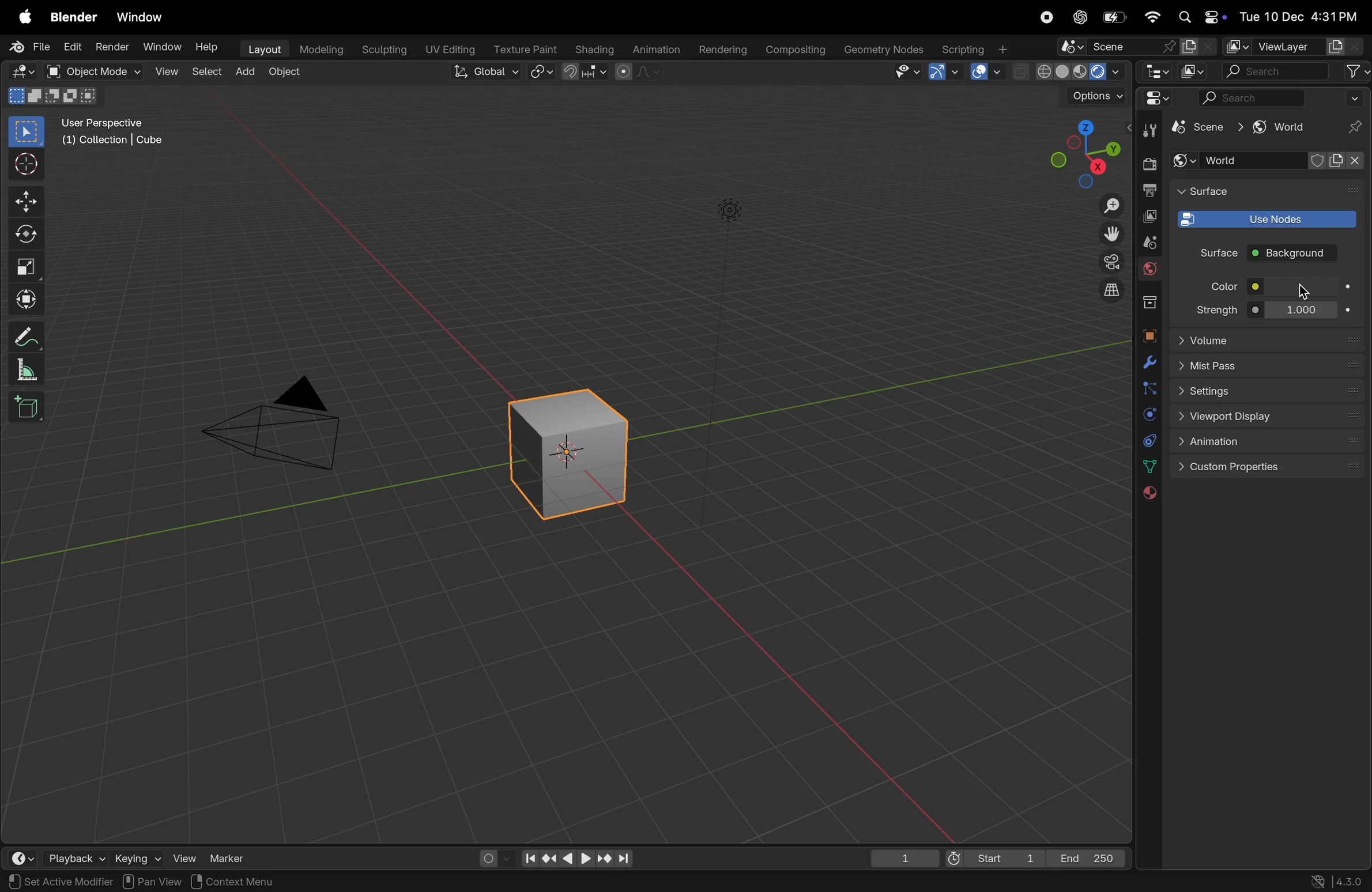 The height and width of the screenshot is (892, 1372). What do you see at coordinates (1152, 17) in the screenshot?
I see `wifi` at bounding box center [1152, 17].